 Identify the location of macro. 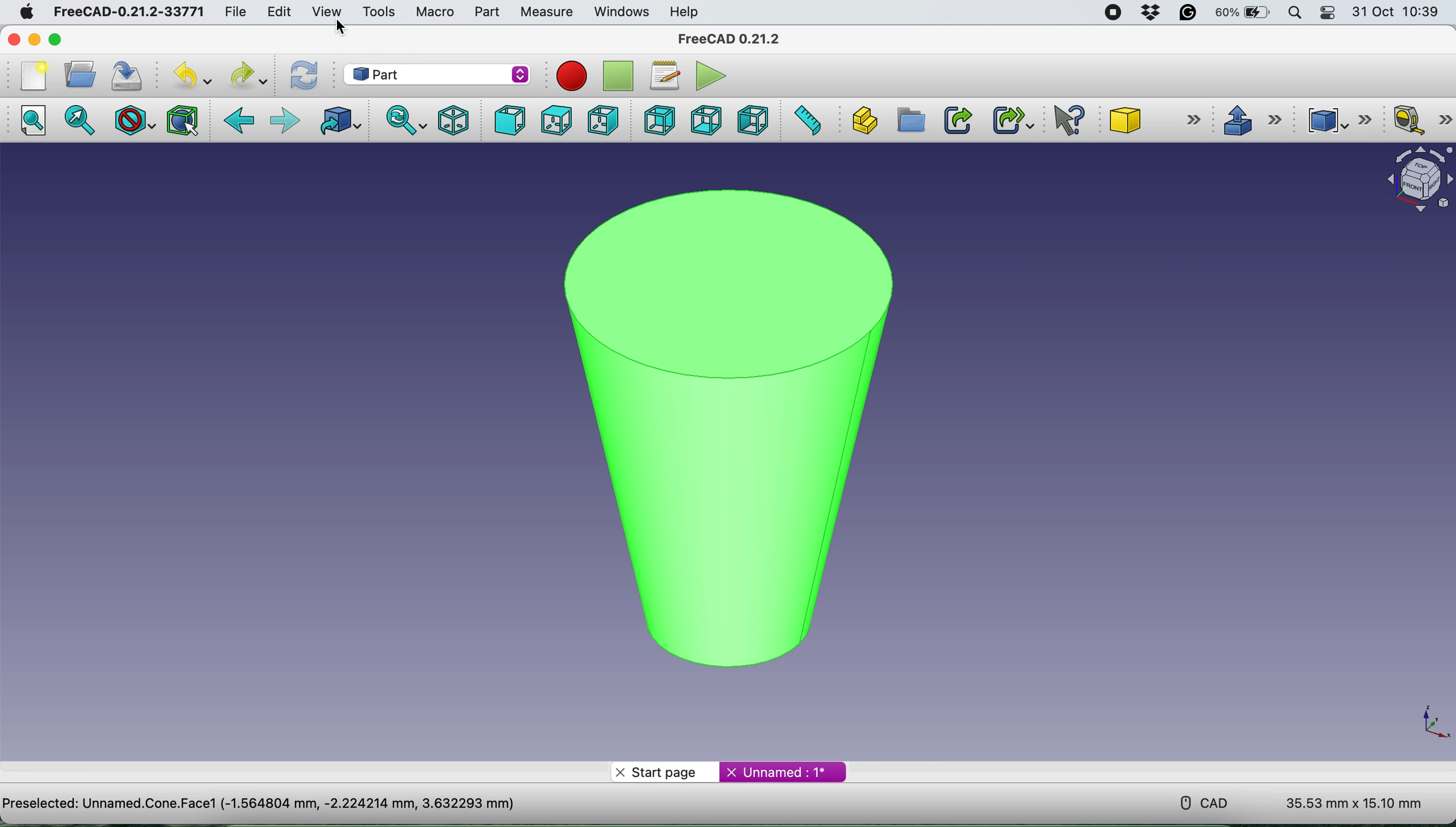
(434, 11).